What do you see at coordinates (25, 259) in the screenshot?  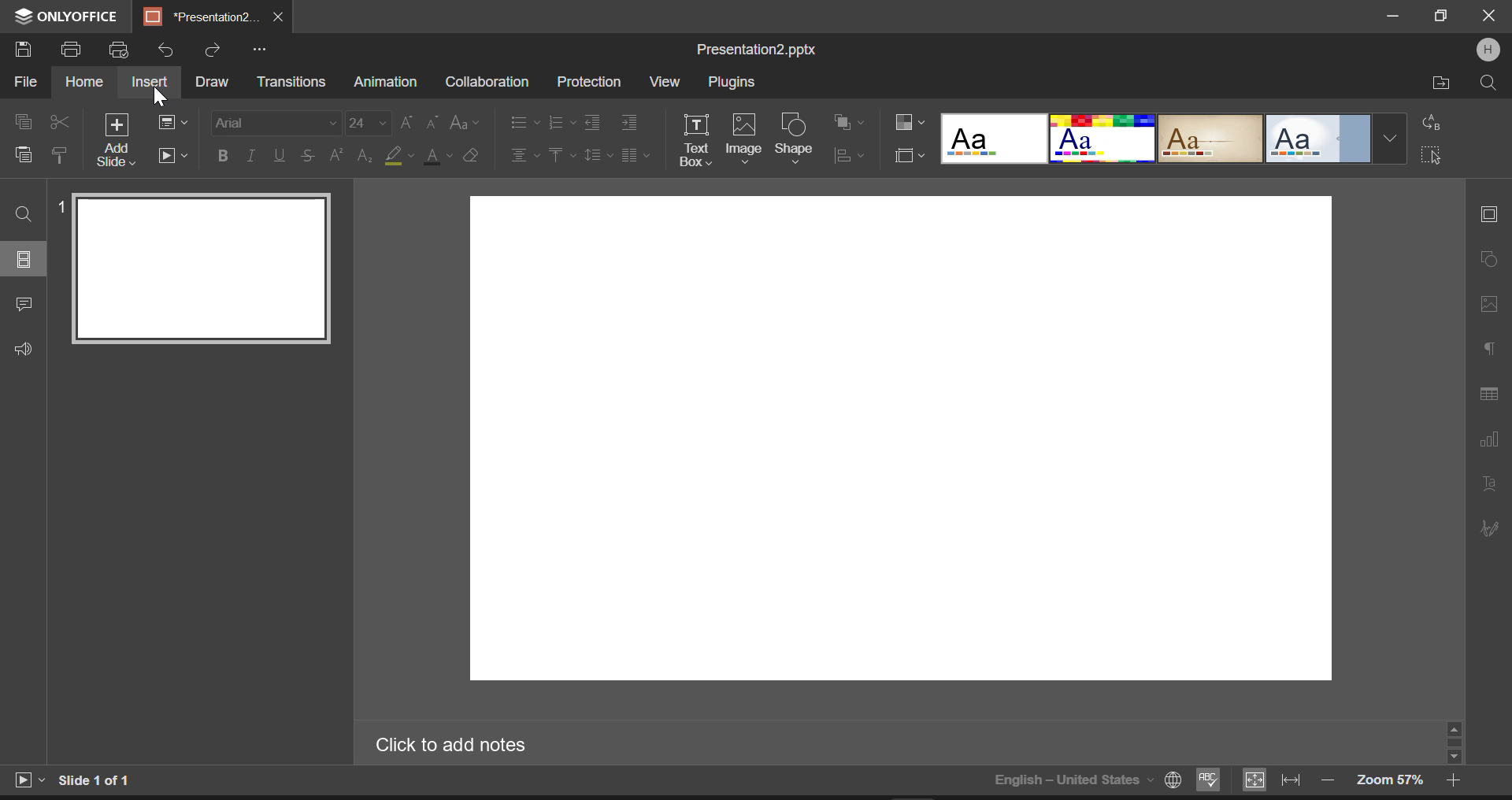 I see `Slides` at bounding box center [25, 259].